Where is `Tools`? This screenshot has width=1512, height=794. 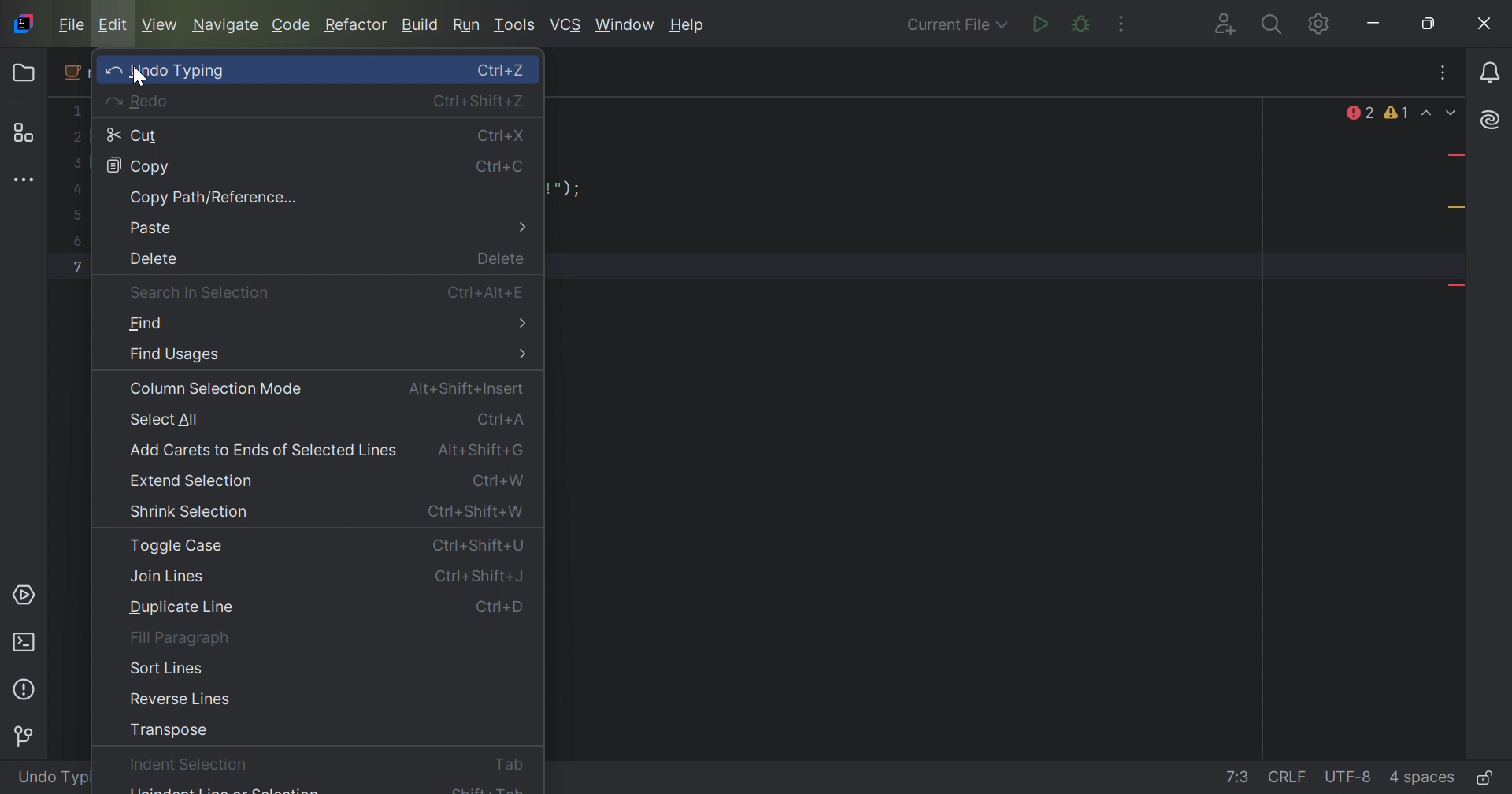
Tools is located at coordinates (515, 26).